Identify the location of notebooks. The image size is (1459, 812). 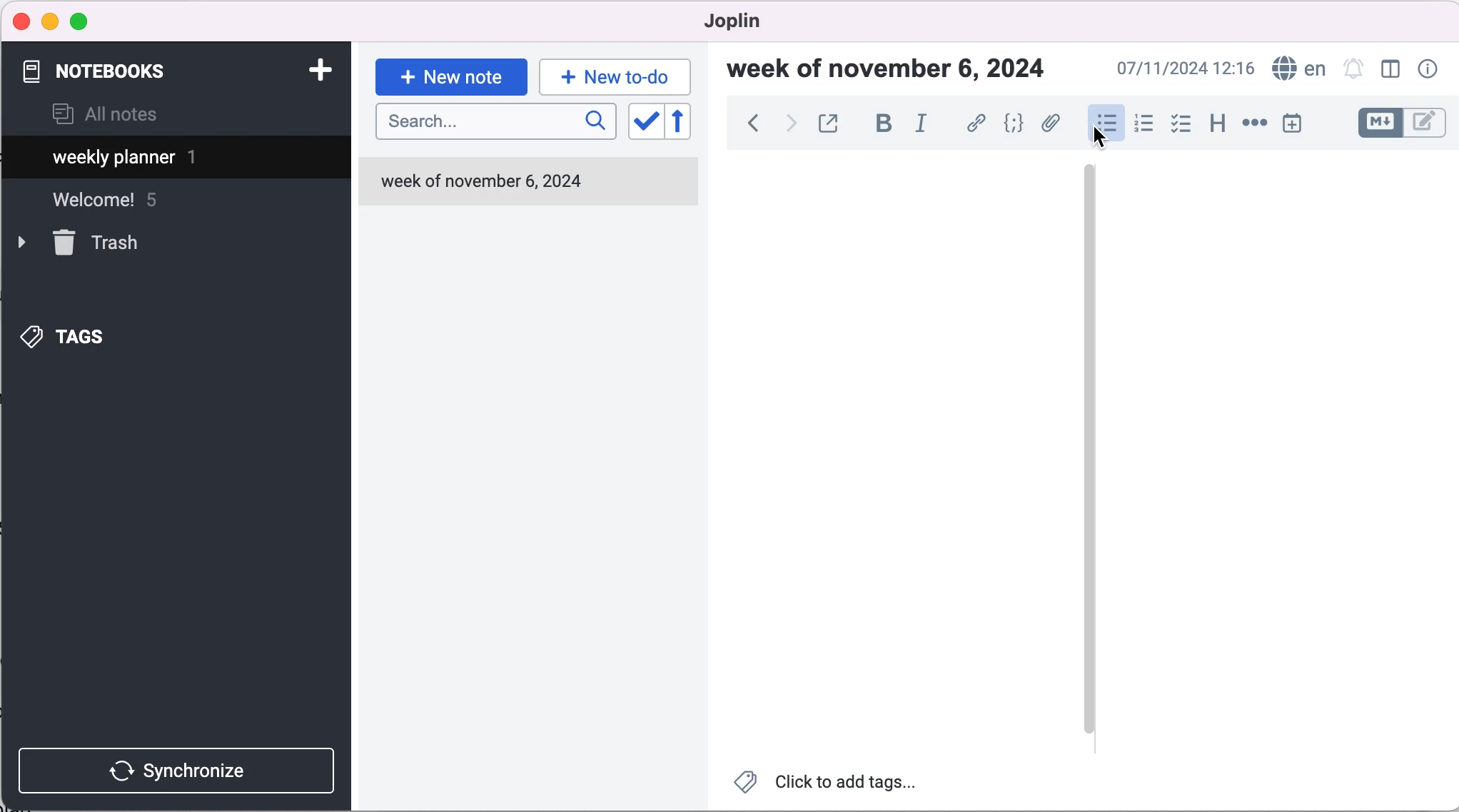
(106, 71).